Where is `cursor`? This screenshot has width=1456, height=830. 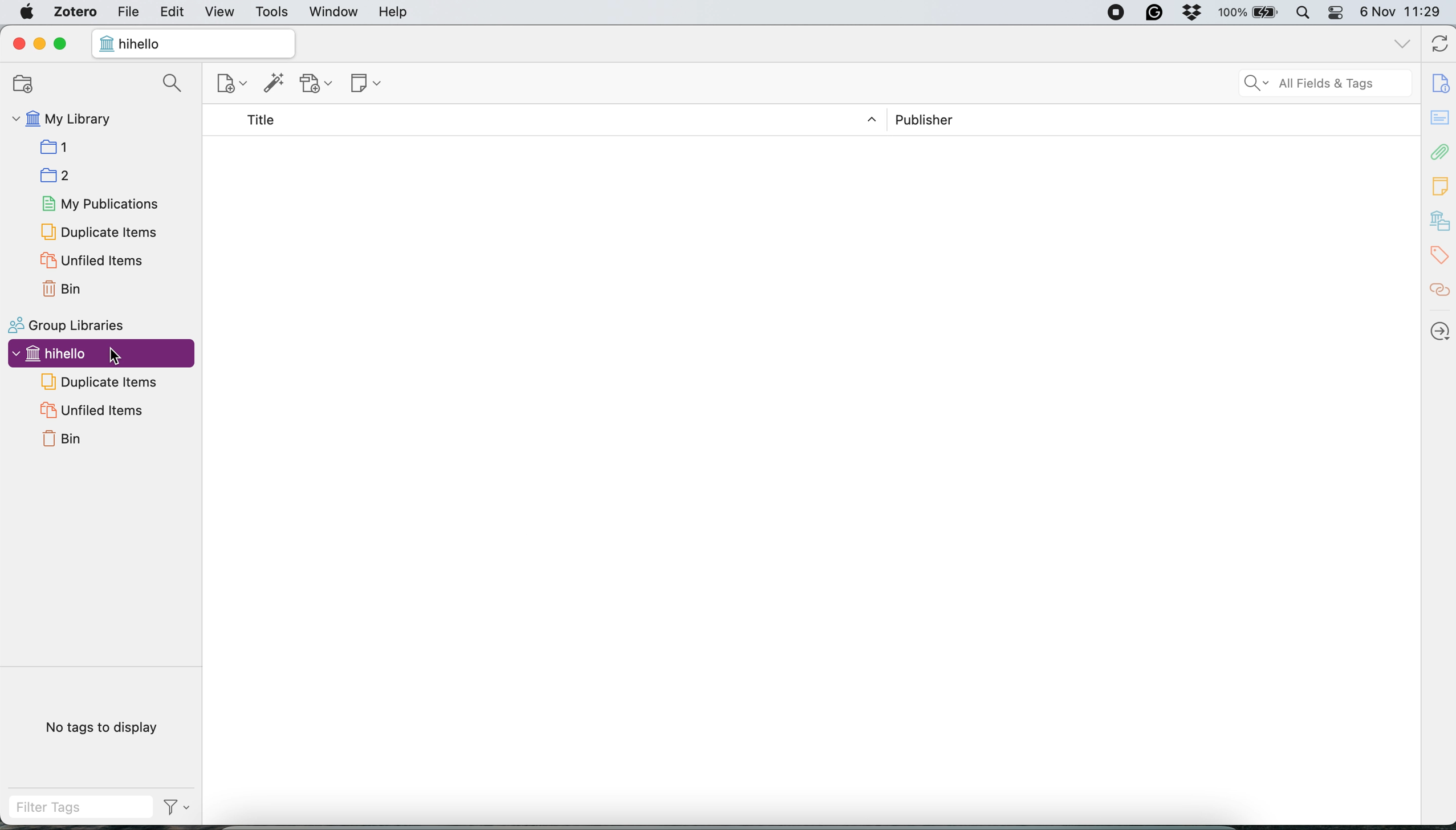 cursor is located at coordinates (117, 356).